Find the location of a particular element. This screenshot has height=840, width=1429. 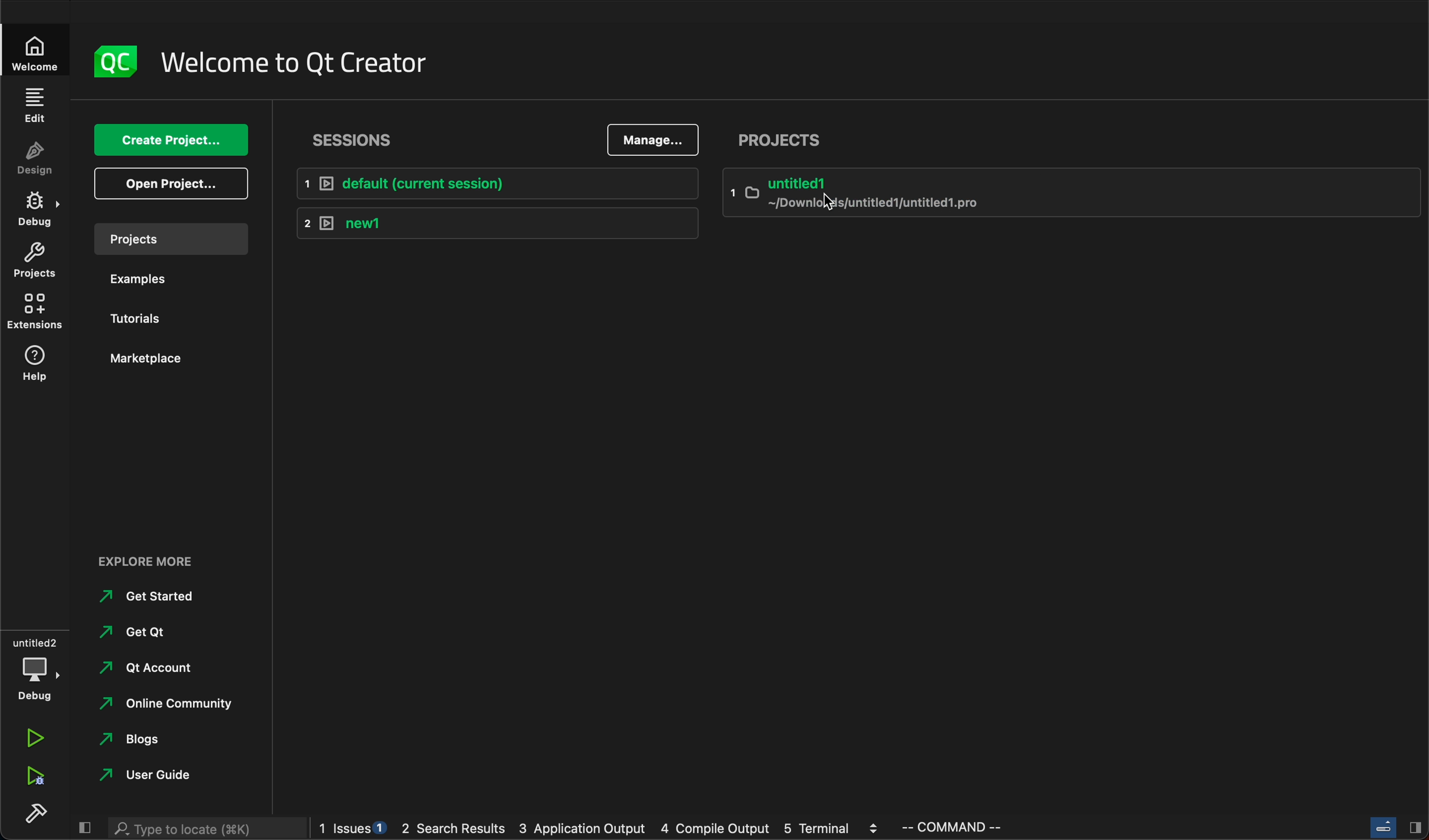

blogs is located at coordinates (164, 740).